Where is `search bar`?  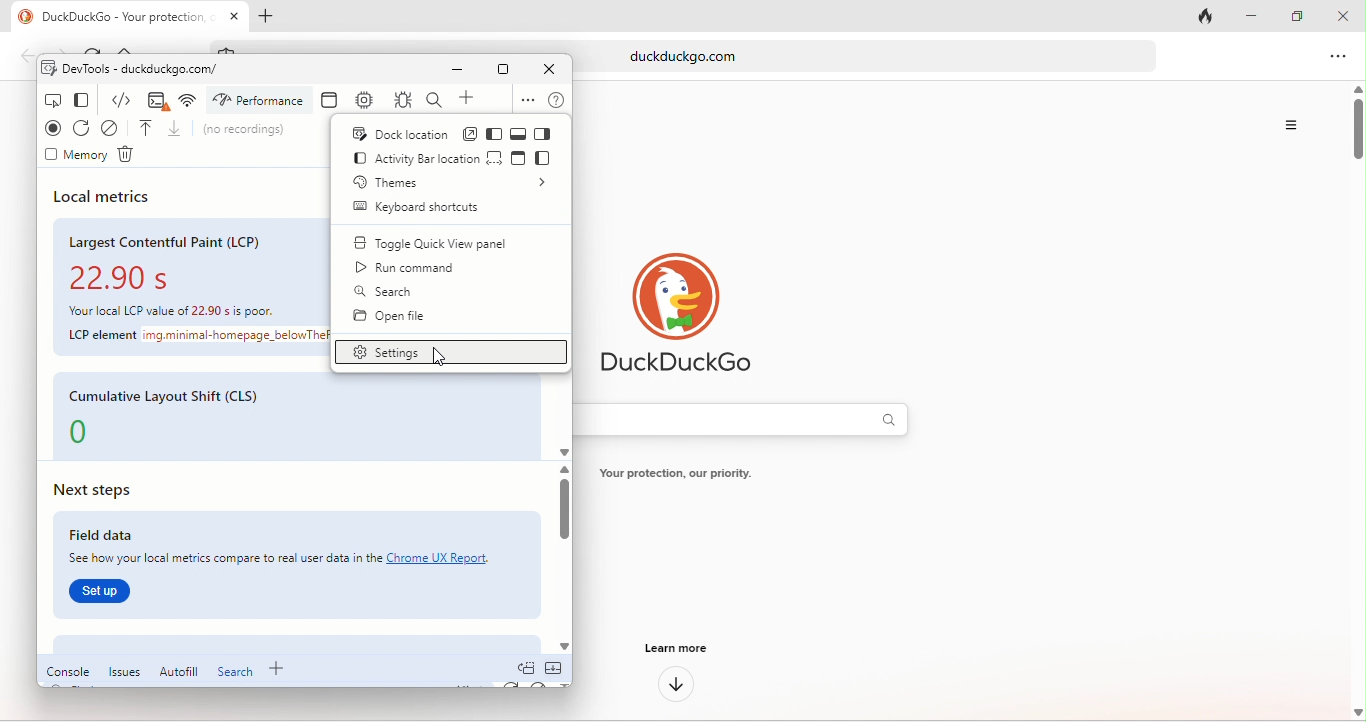
search bar is located at coordinates (757, 420).